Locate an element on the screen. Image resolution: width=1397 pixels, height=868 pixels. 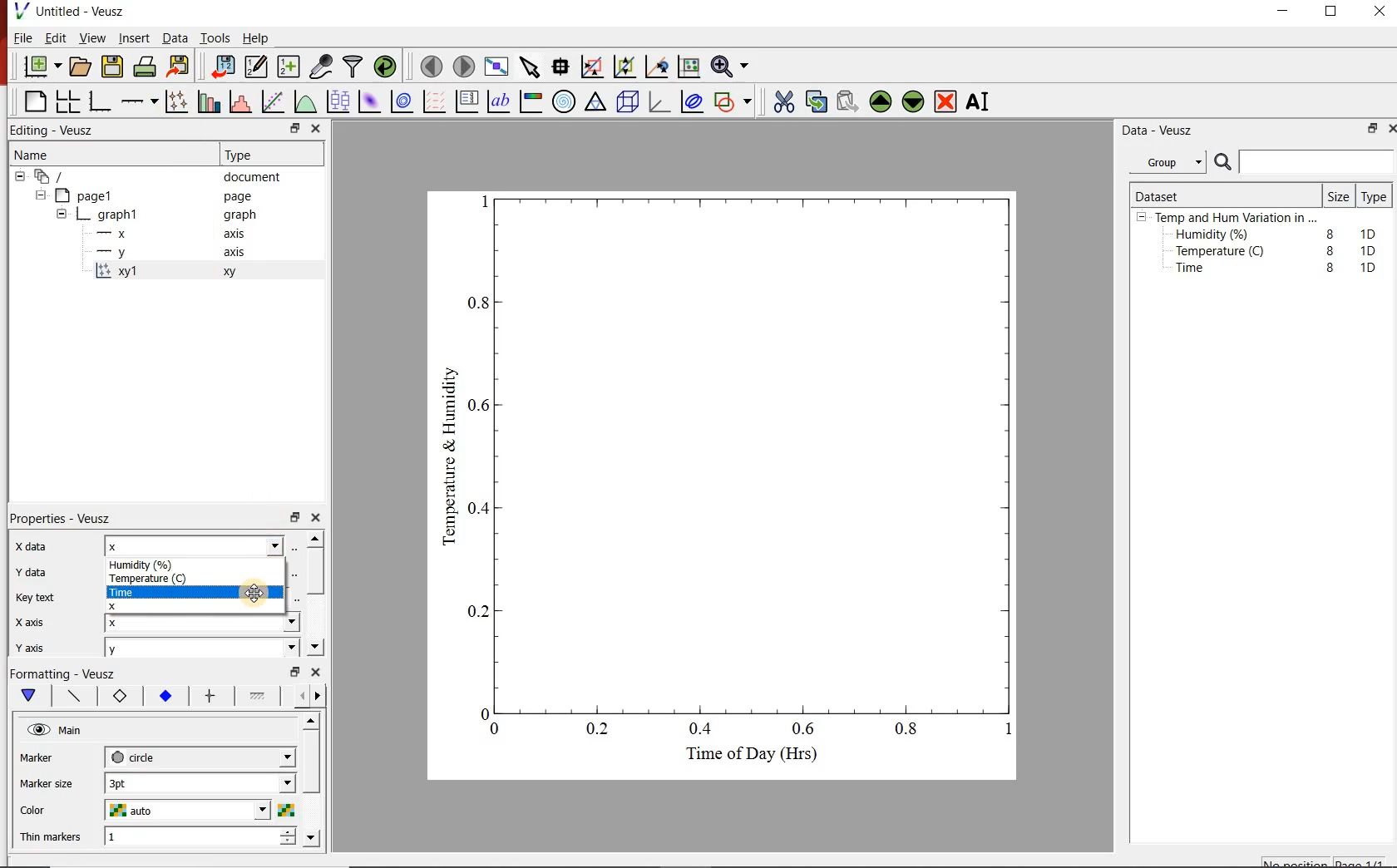
add a shape to the plot is located at coordinates (737, 104).